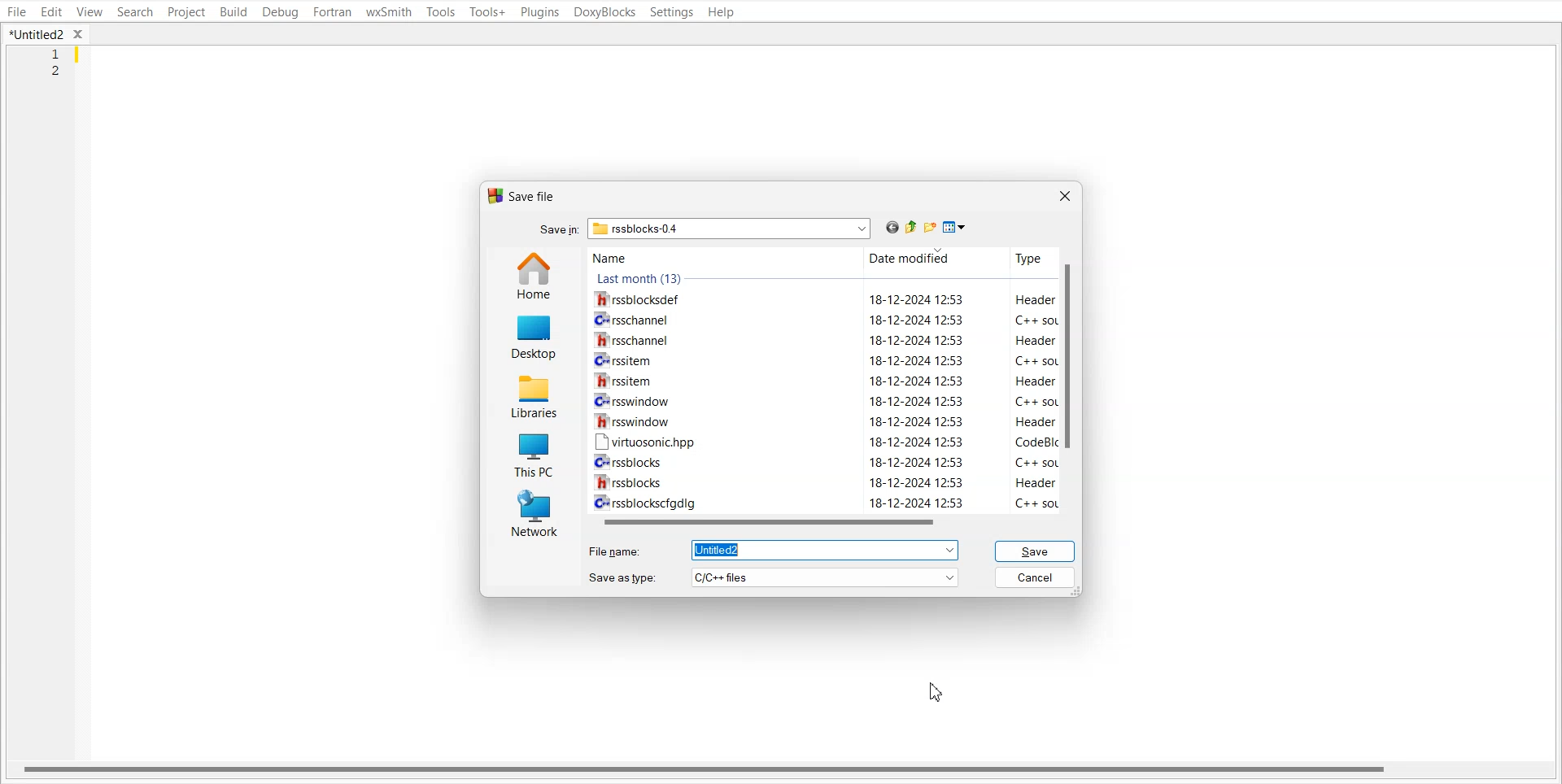 This screenshot has width=1562, height=784. I want to click on Cancel, so click(1036, 577).